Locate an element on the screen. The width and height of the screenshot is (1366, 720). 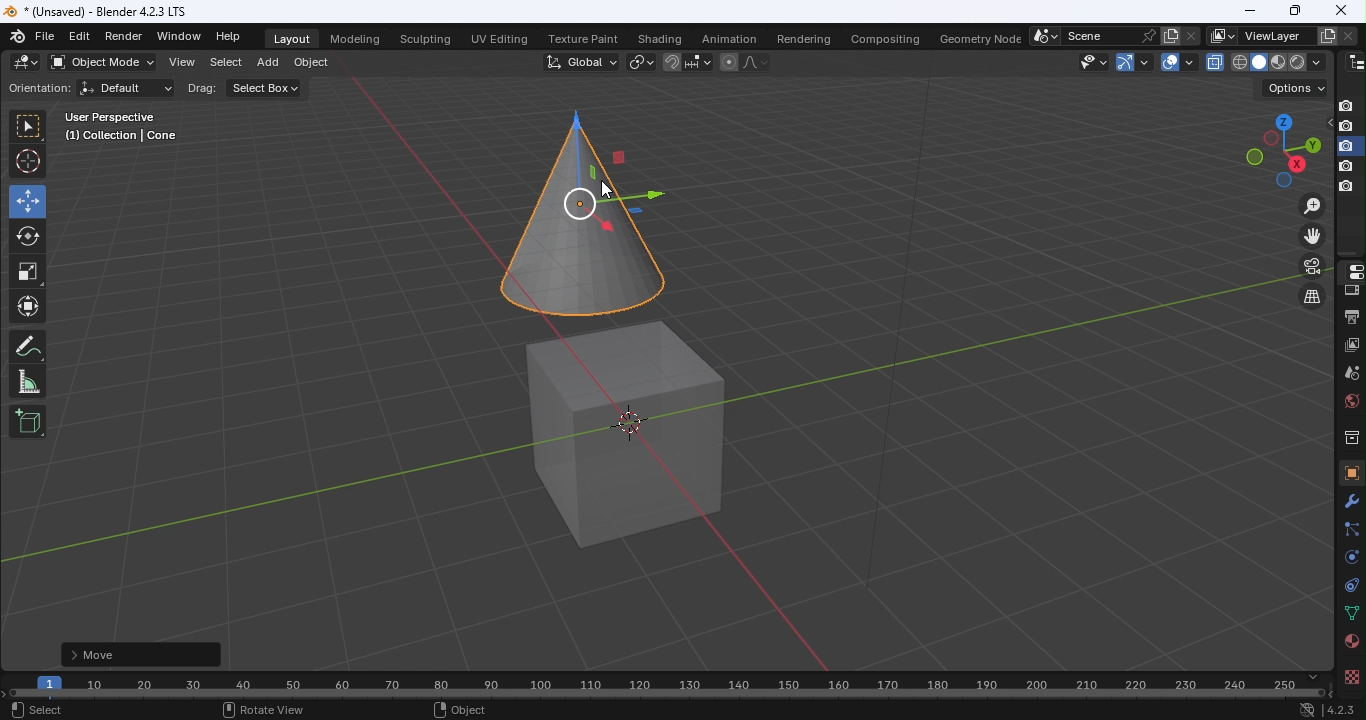
Rotate the view is located at coordinates (1296, 164).